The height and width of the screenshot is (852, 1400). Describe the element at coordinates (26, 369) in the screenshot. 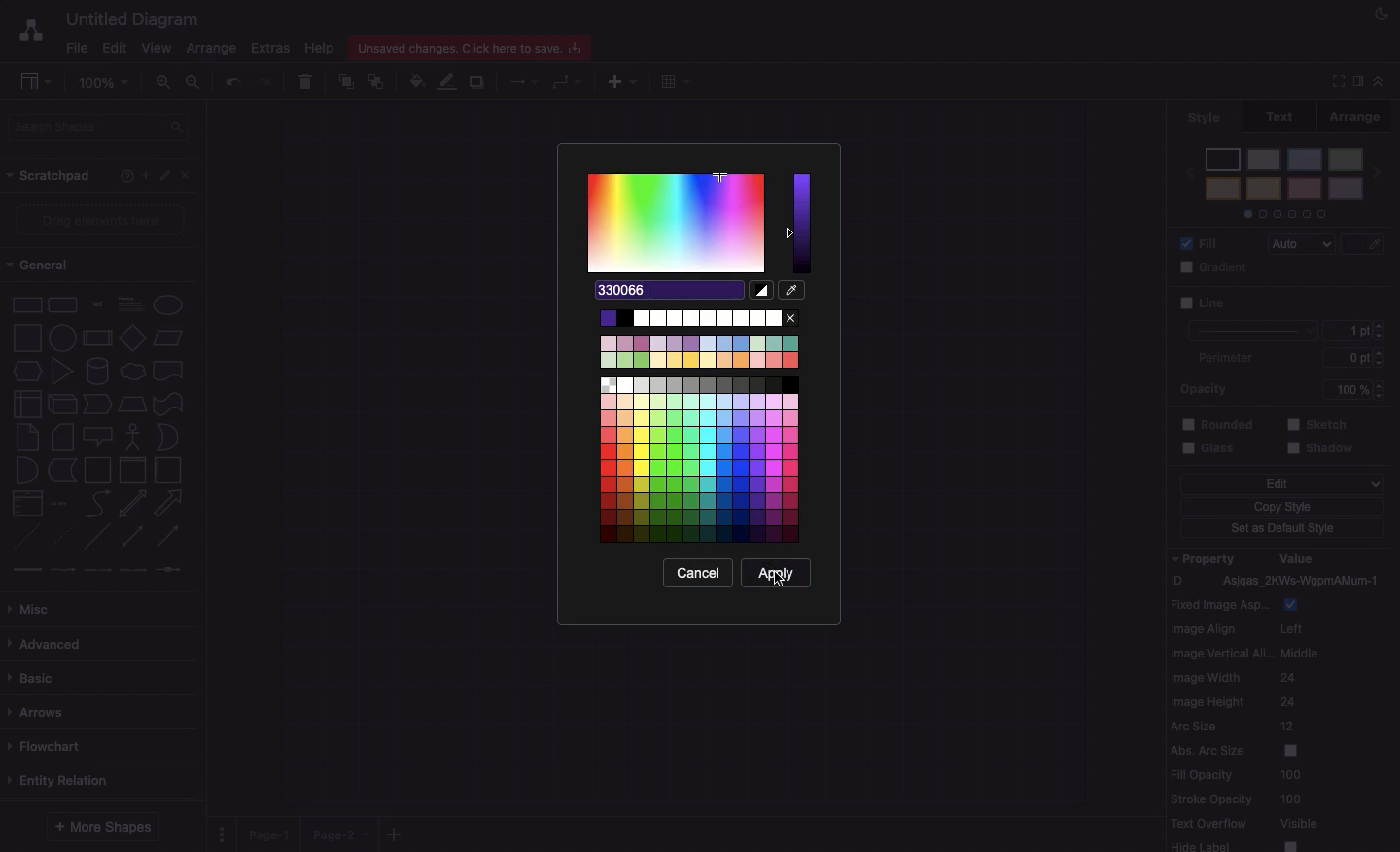

I see `hexagone` at that location.